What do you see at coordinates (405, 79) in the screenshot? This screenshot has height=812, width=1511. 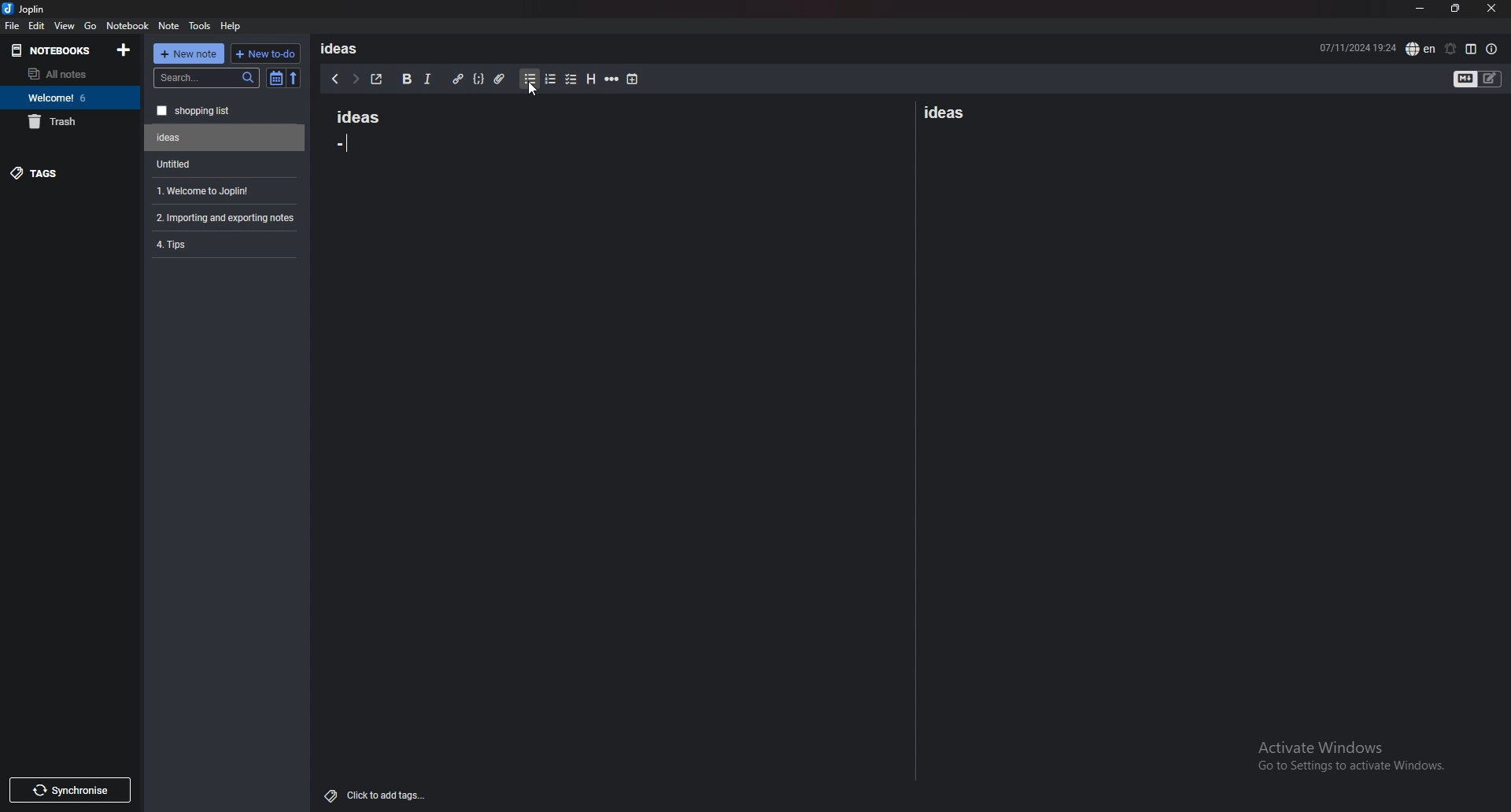 I see `bold` at bounding box center [405, 79].